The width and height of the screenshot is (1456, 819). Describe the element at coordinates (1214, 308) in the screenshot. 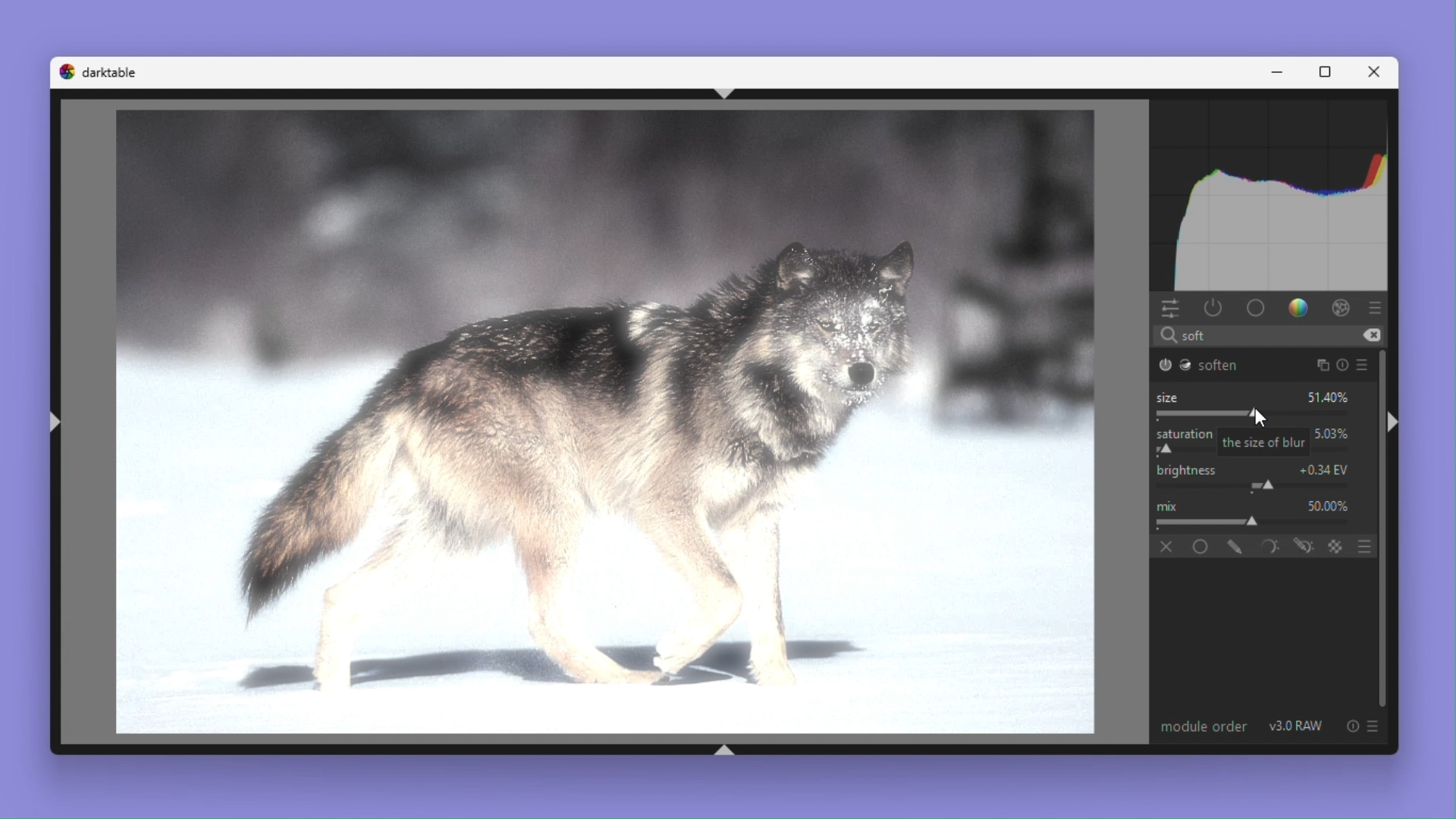

I see `Show only active modules` at that location.